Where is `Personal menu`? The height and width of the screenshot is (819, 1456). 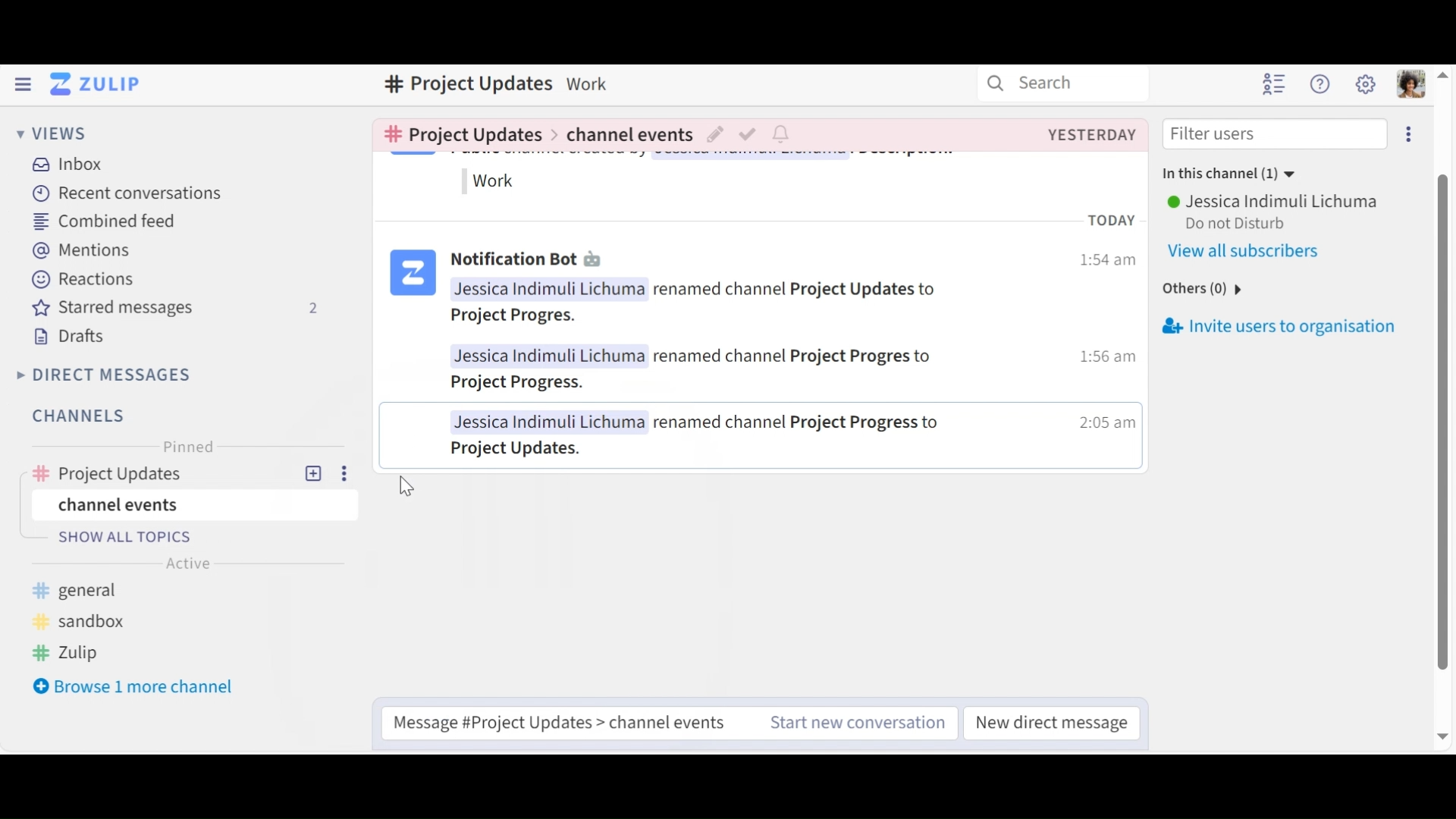 Personal menu is located at coordinates (1413, 83).